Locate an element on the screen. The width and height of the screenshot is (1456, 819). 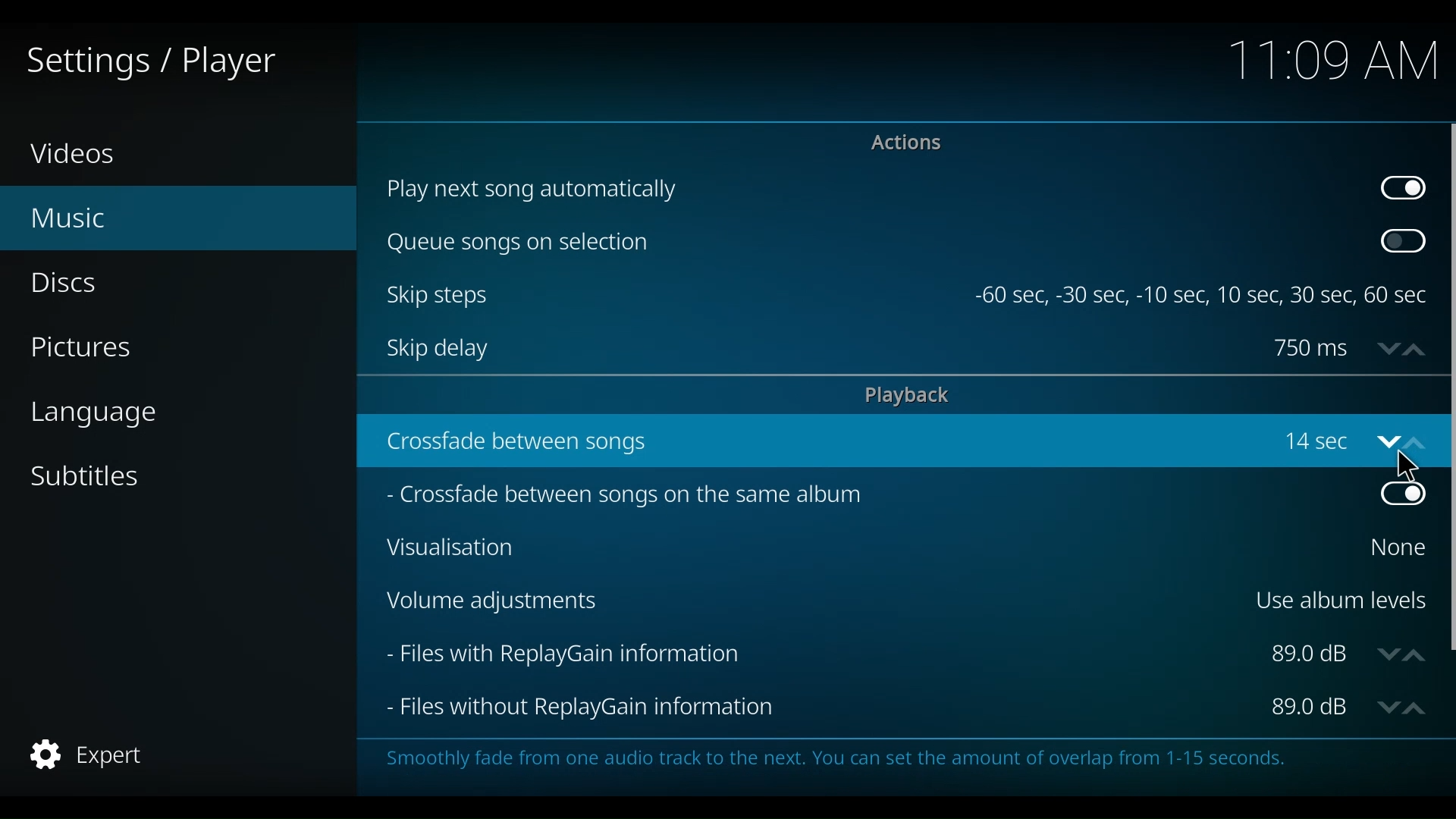
Pictures is located at coordinates (85, 347).